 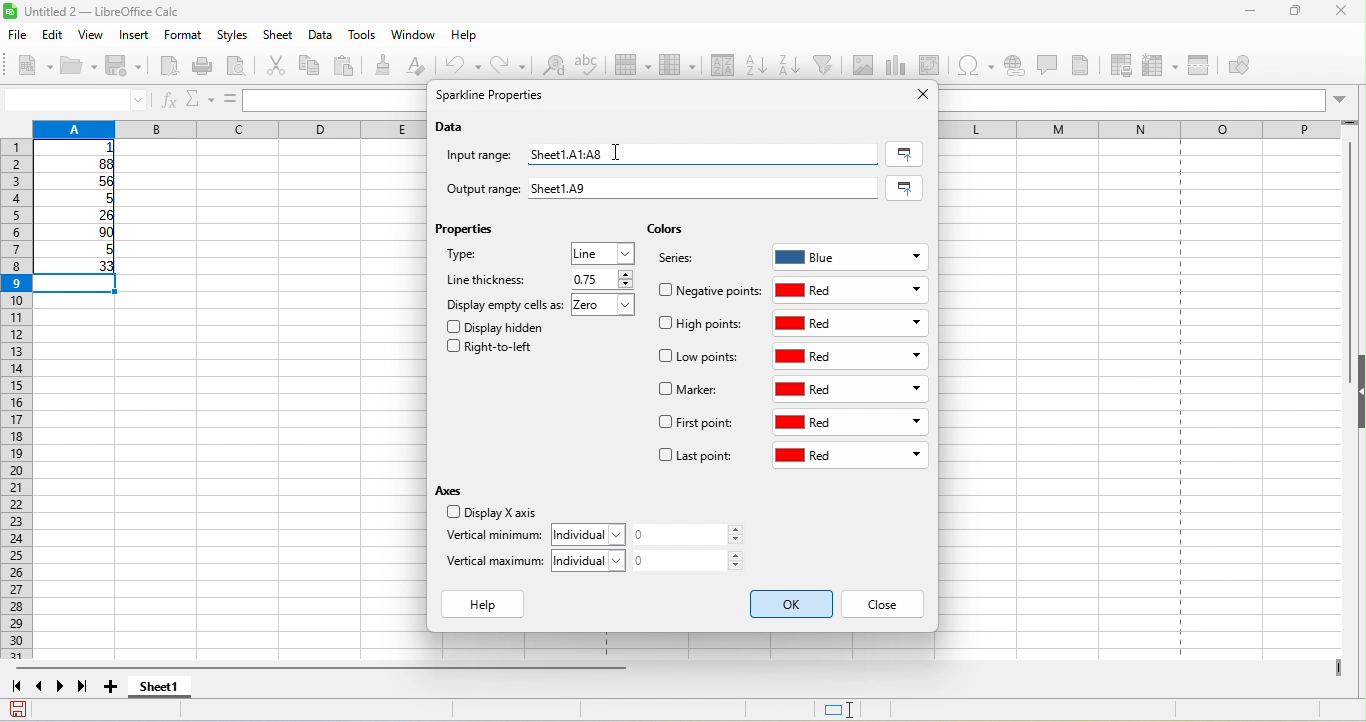 I want to click on red, so click(x=850, y=457).